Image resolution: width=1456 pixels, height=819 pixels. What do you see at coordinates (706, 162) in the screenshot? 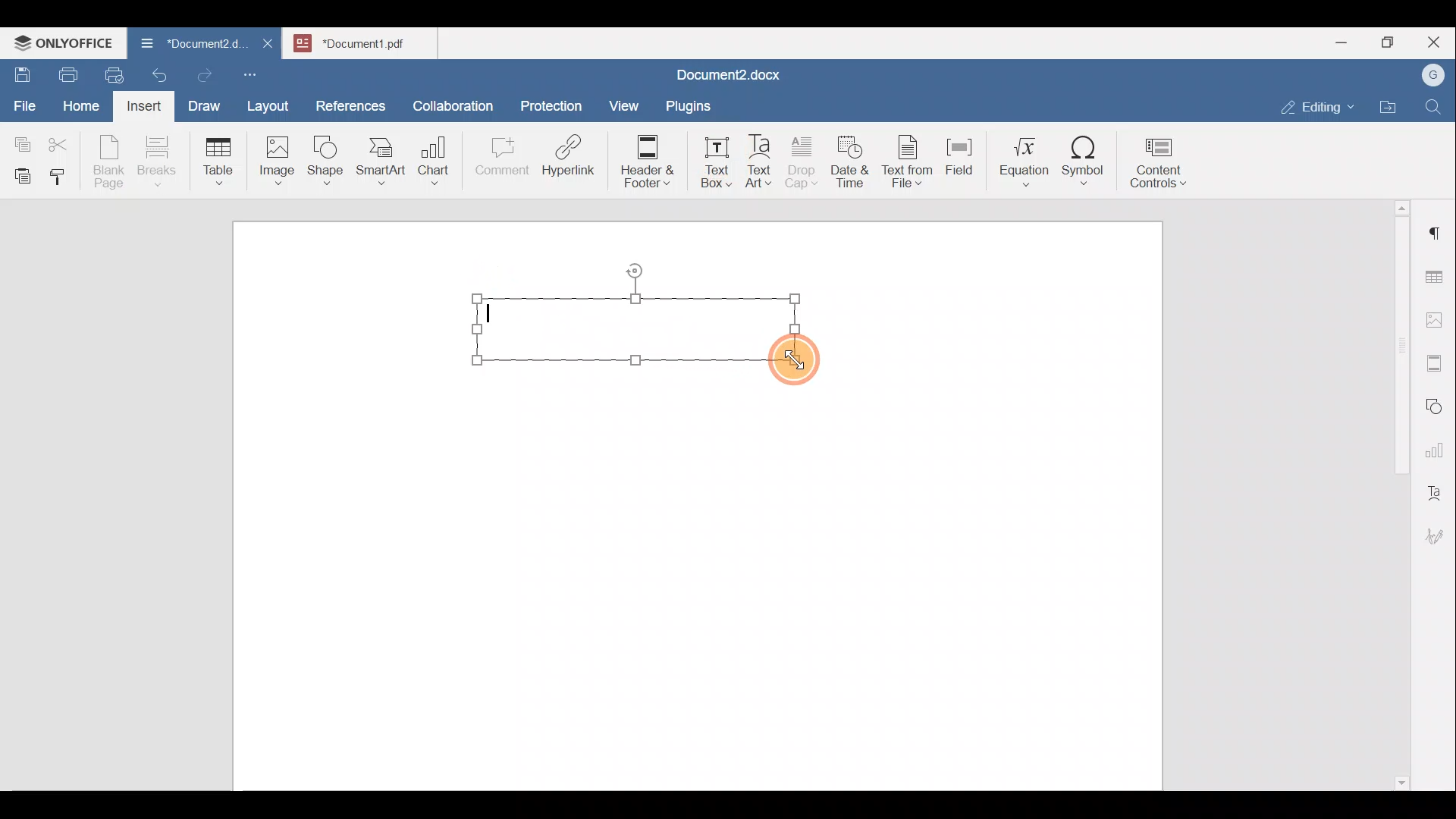
I see `Text box` at bounding box center [706, 162].